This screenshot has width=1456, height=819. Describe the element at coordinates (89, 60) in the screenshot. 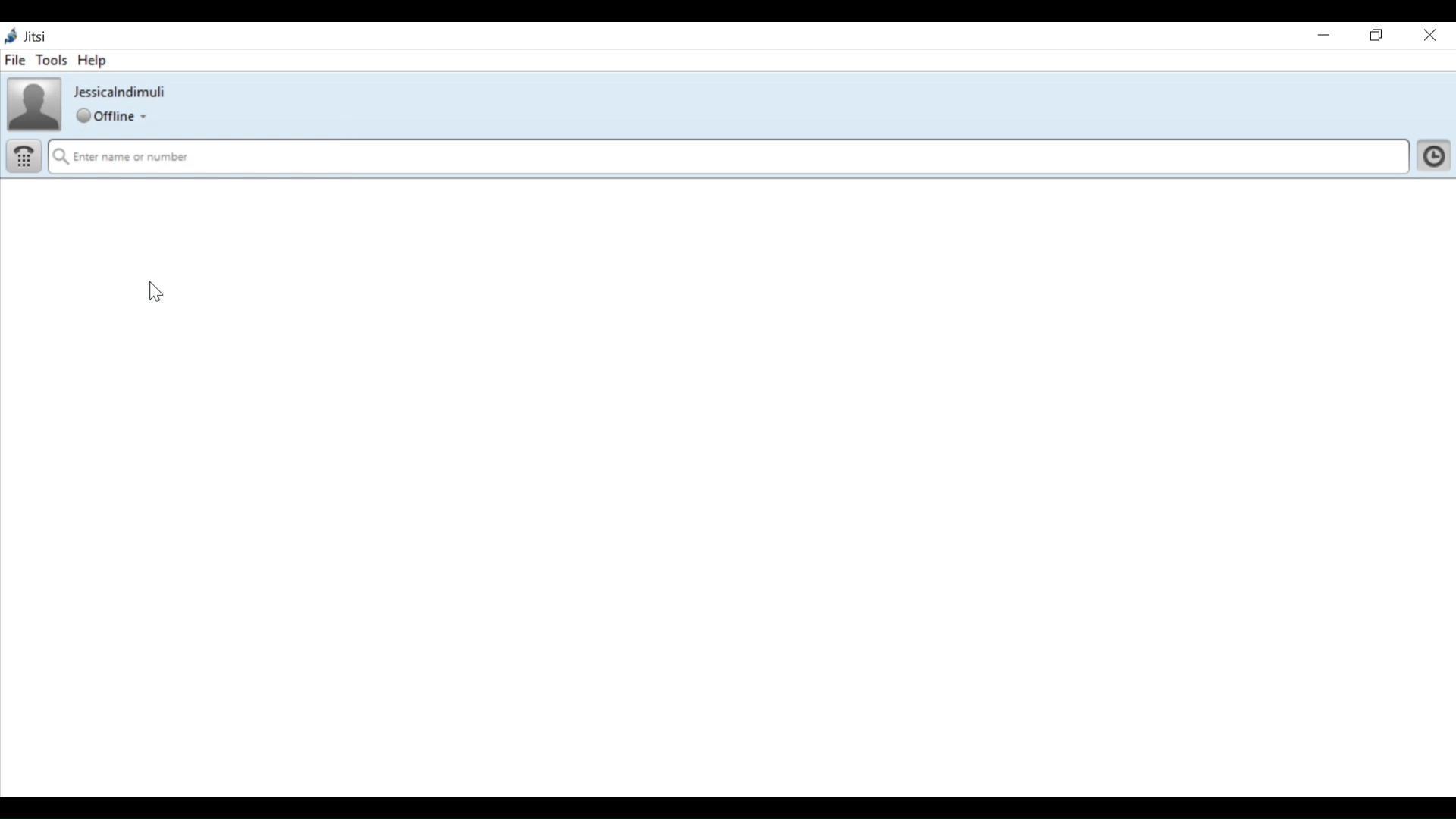

I see `Help` at that location.